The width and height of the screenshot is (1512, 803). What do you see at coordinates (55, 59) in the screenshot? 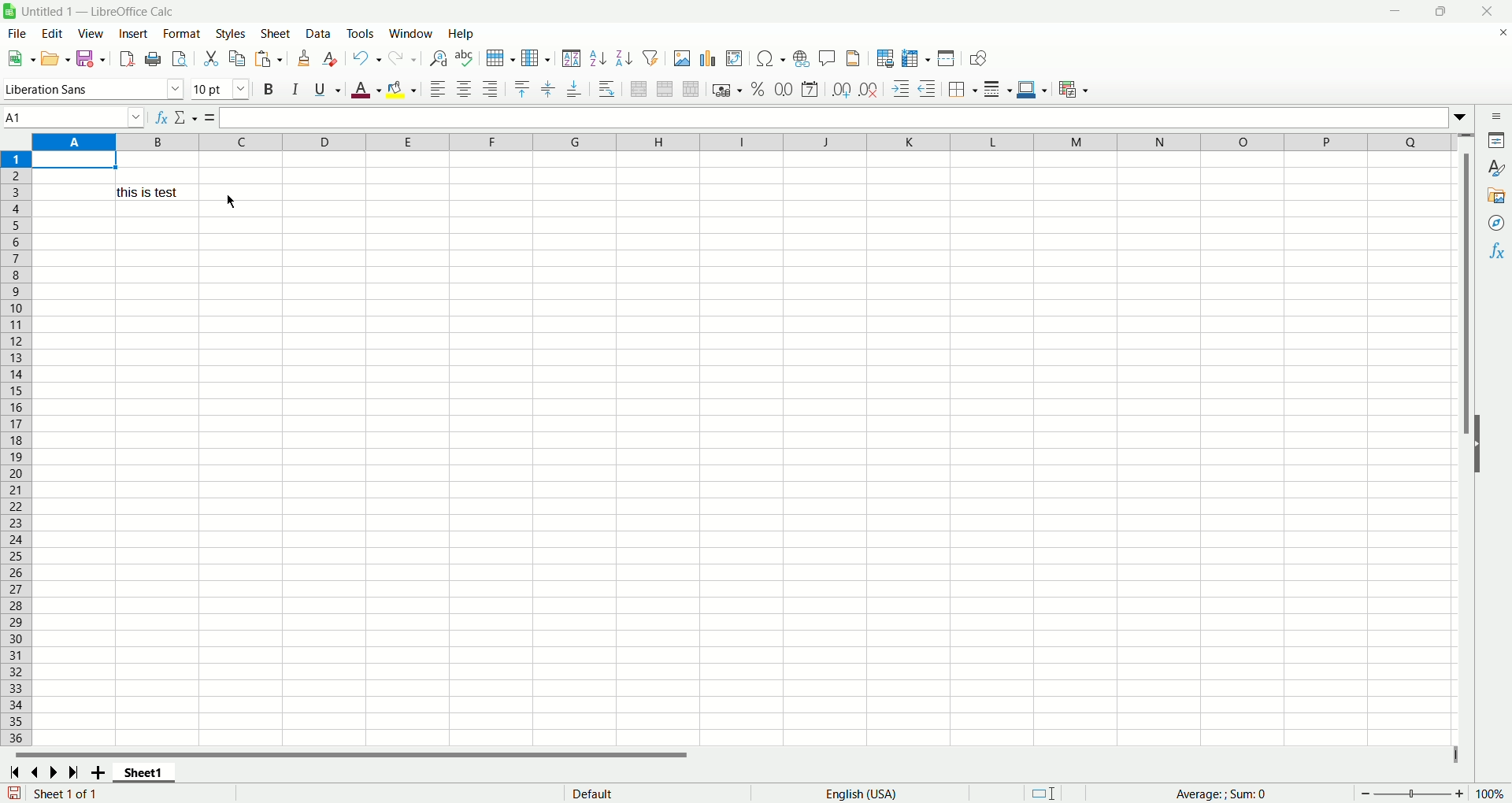
I see `open` at bounding box center [55, 59].